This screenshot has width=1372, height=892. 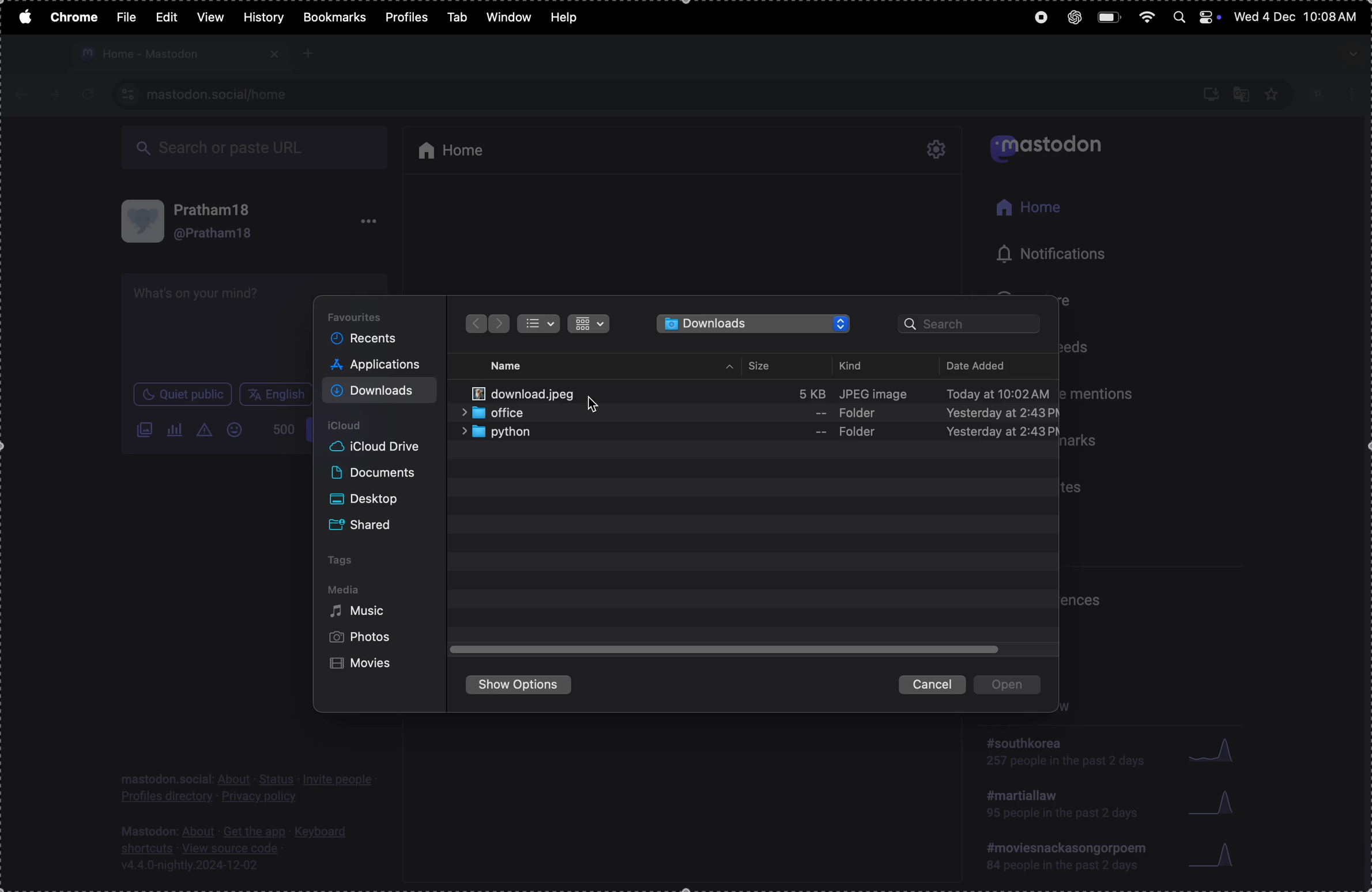 I want to click on icon views, so click(x=589, y=324).